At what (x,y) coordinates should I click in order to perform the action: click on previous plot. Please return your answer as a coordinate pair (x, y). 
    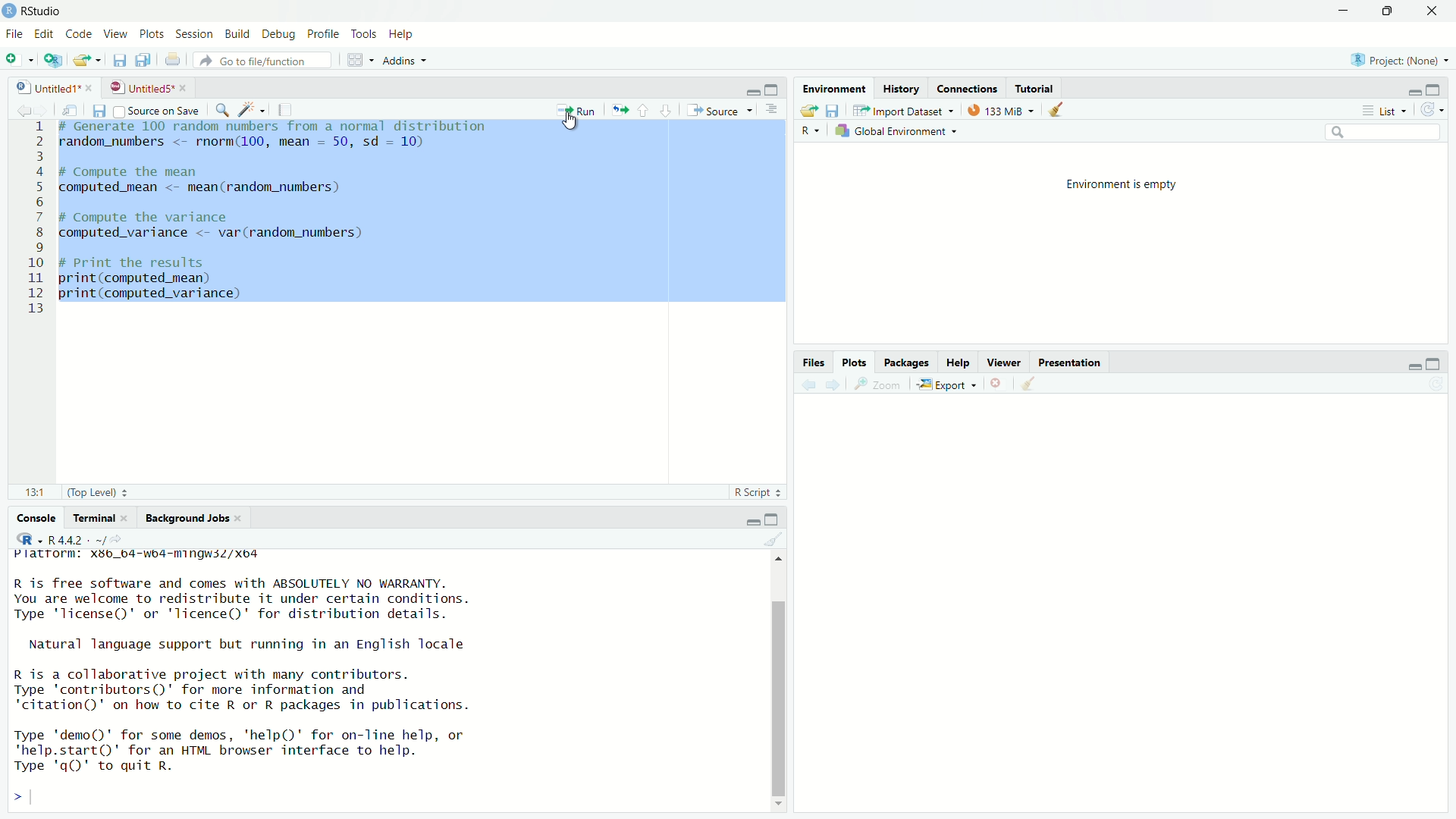
    Looking at the image, I should click on (808, 385).